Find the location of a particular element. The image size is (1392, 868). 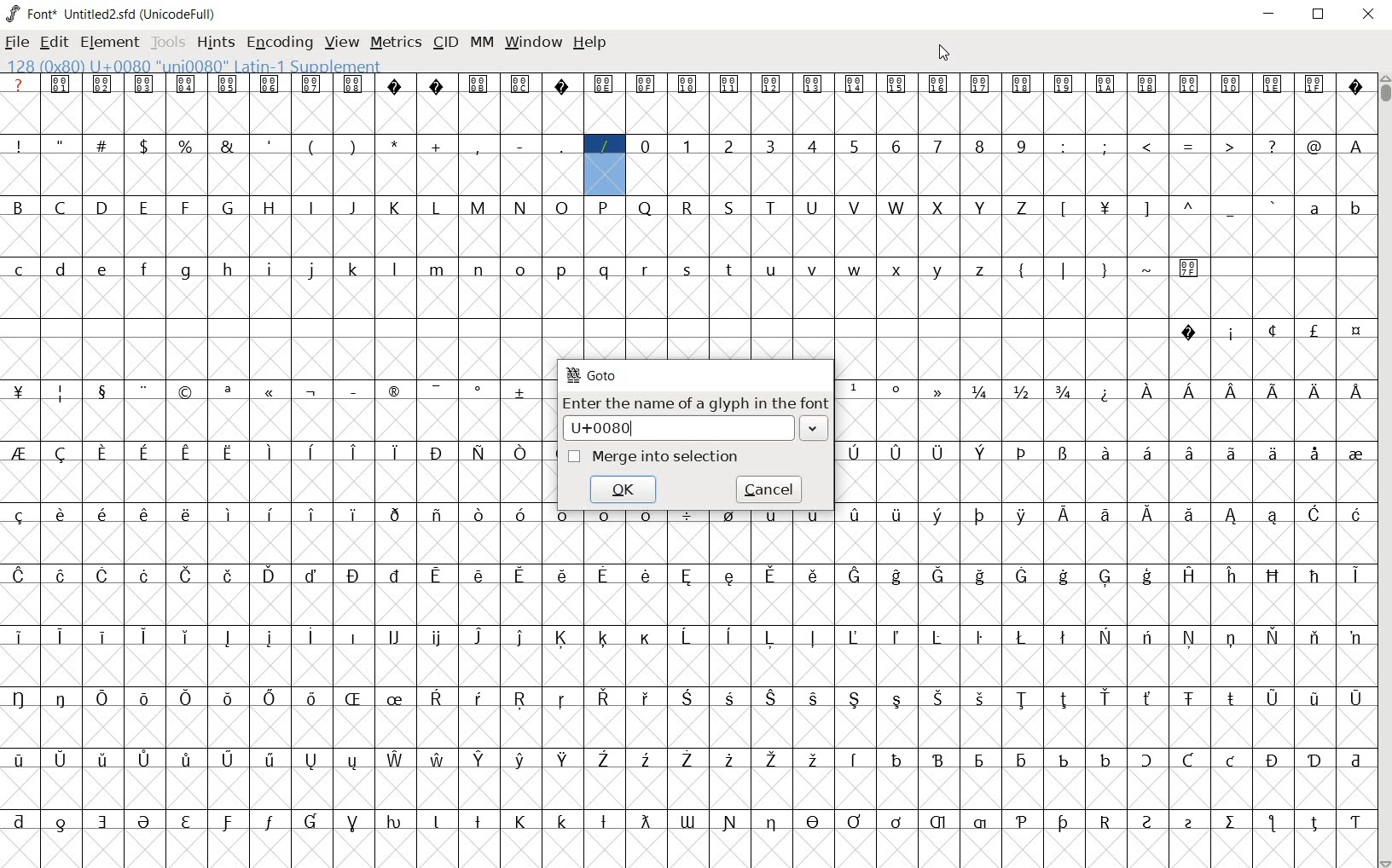

glyph is located at coordinates (19, 760).